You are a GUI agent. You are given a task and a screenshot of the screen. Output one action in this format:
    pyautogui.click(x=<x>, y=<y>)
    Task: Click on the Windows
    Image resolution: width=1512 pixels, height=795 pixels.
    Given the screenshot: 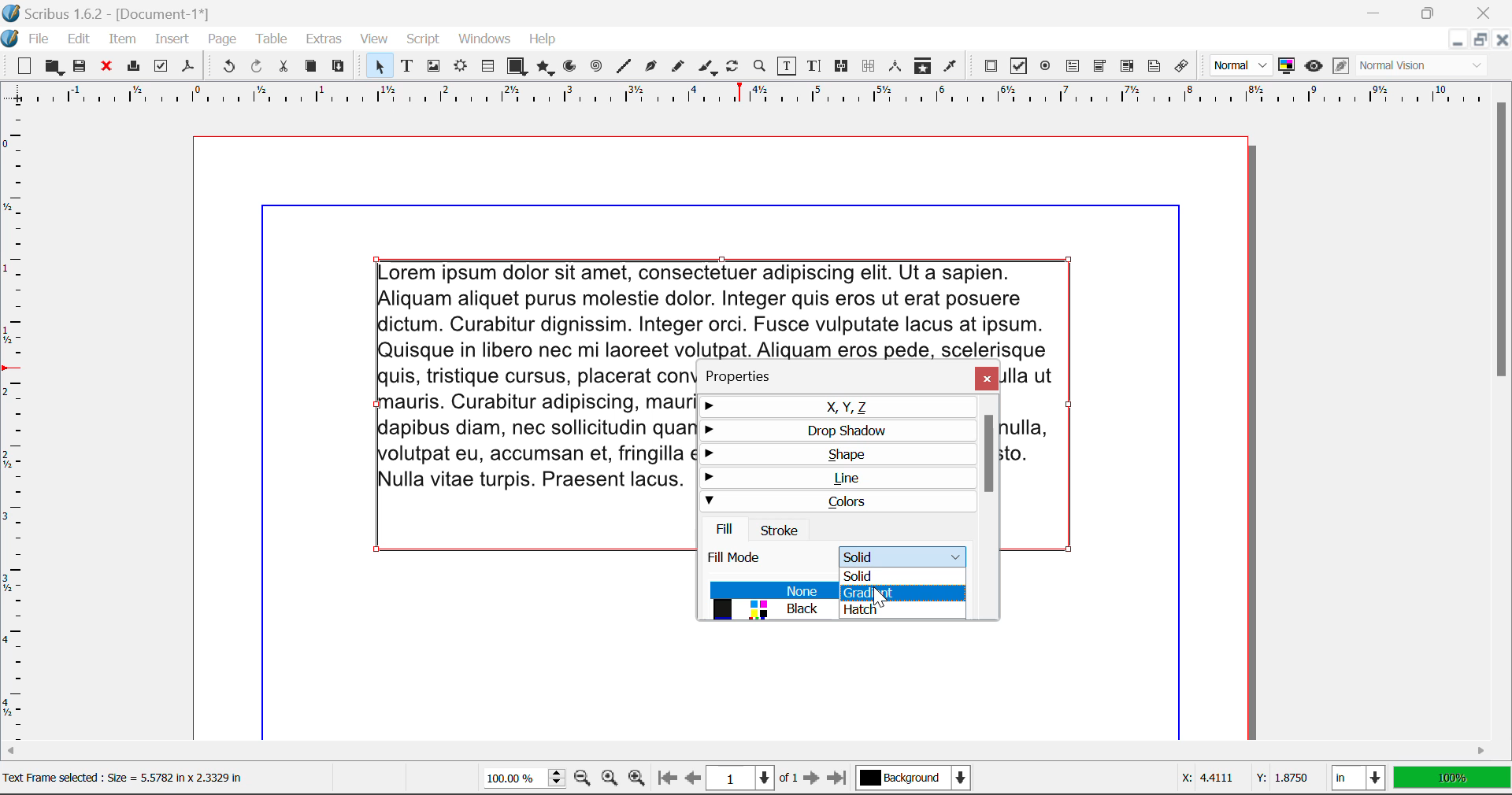 What is the action you would take?
    pyautogui.click(x=483, y=39)
    